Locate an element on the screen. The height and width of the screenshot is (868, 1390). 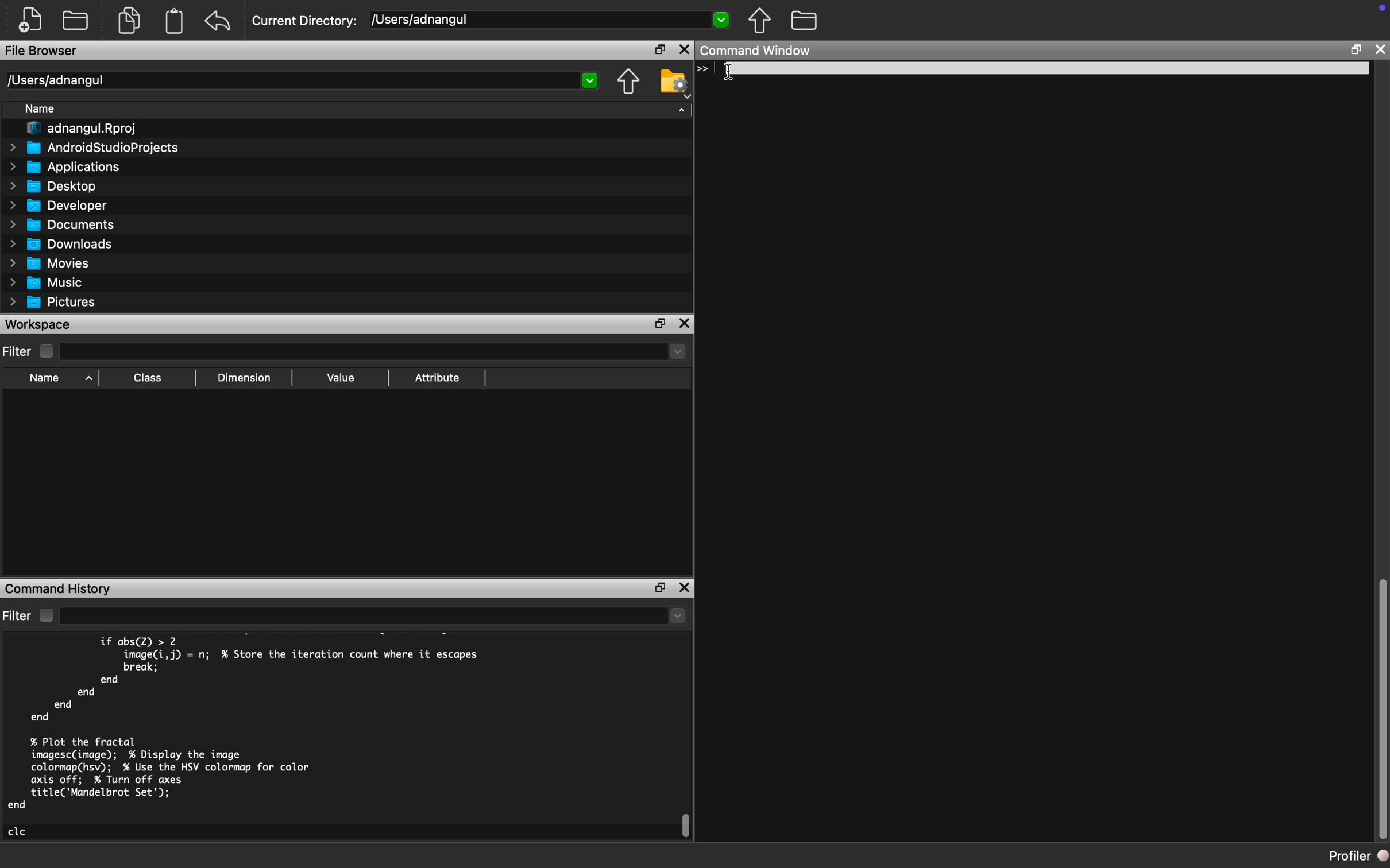
Checkbox is located at coordinates (46, 351).